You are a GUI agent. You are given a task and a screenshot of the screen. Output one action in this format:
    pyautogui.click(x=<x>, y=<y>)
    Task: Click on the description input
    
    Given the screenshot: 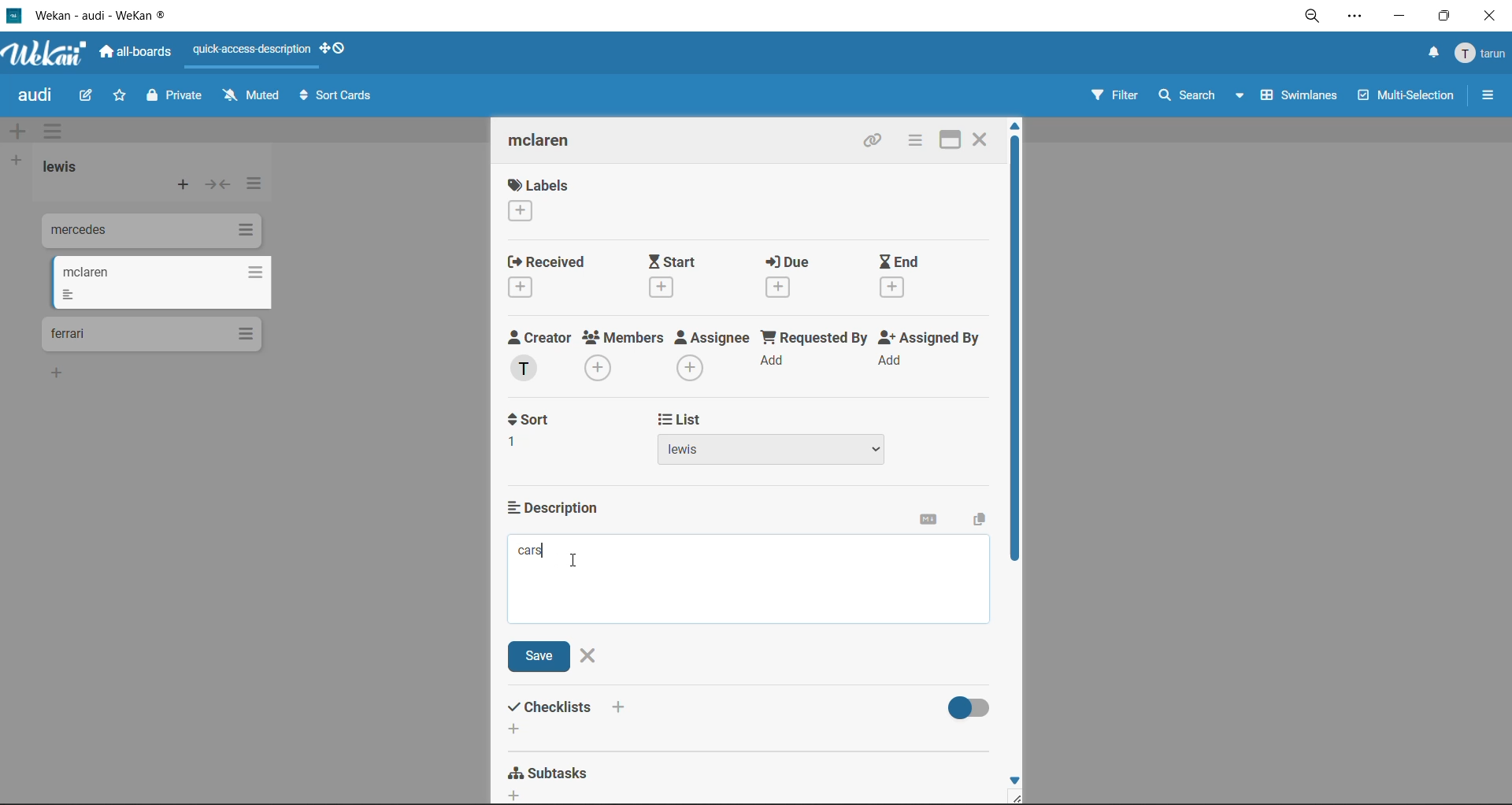 What is the action you would take?
    pyautogui.click(x=752, y=581)
    